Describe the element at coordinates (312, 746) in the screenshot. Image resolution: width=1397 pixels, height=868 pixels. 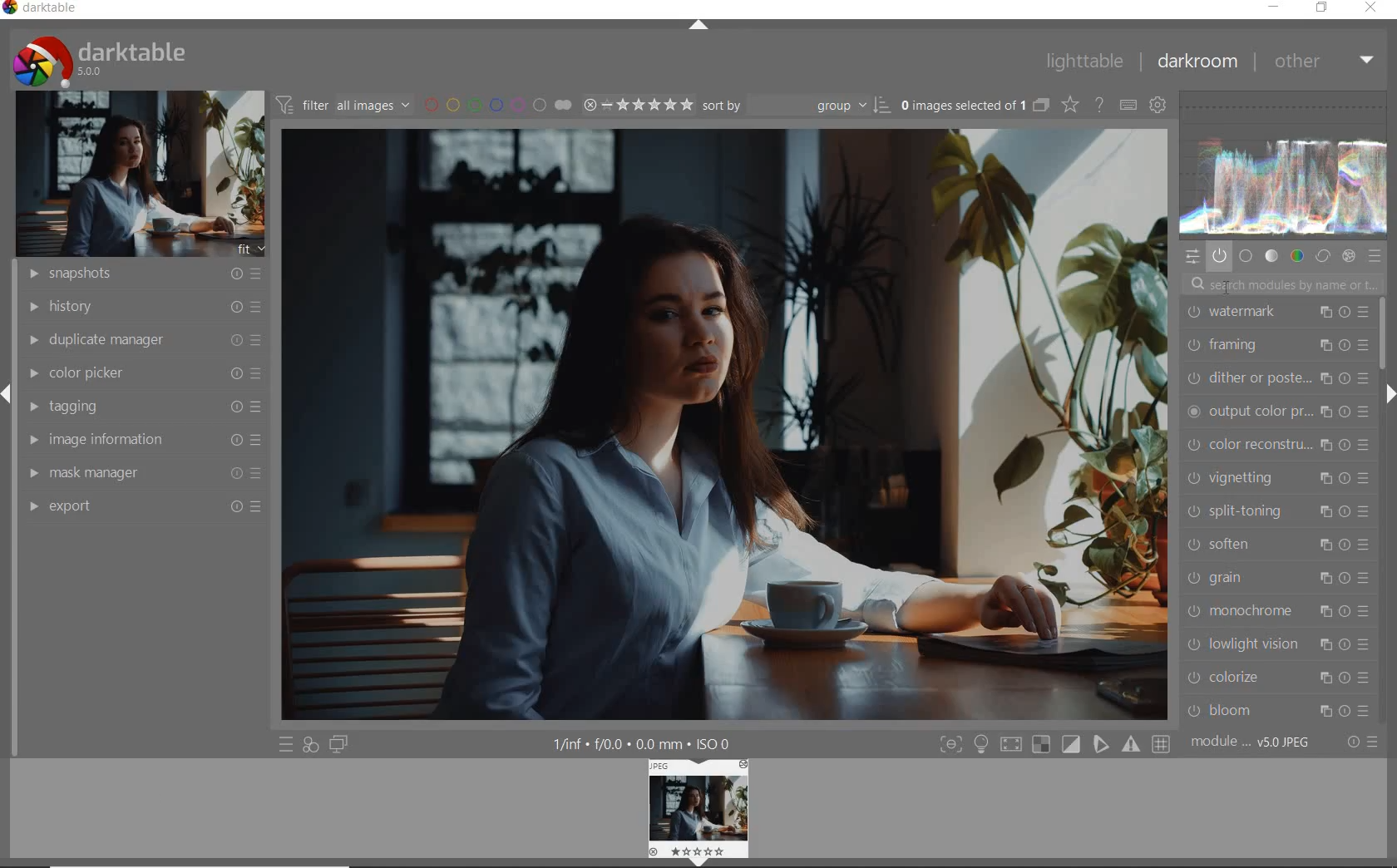
I see `quick access for applying any of your styles` at that location.